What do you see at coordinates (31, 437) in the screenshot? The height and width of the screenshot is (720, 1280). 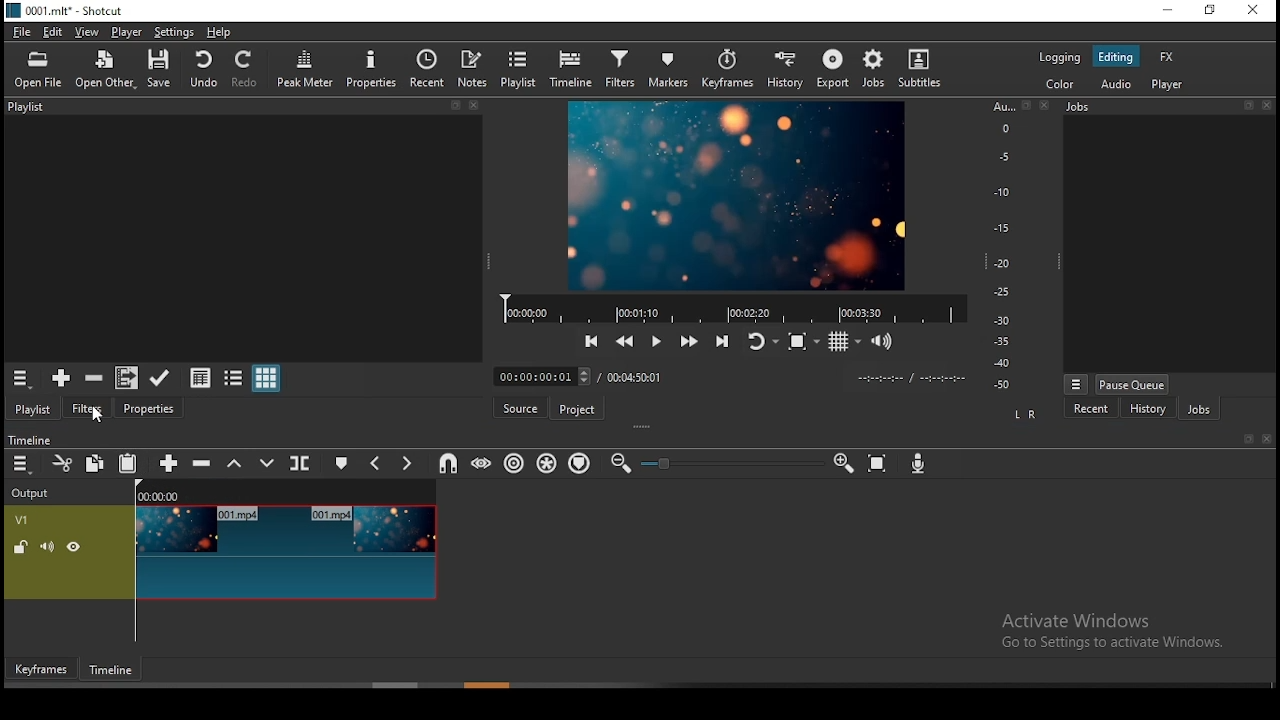 I see `timeline` at bounding box center [31, 437].